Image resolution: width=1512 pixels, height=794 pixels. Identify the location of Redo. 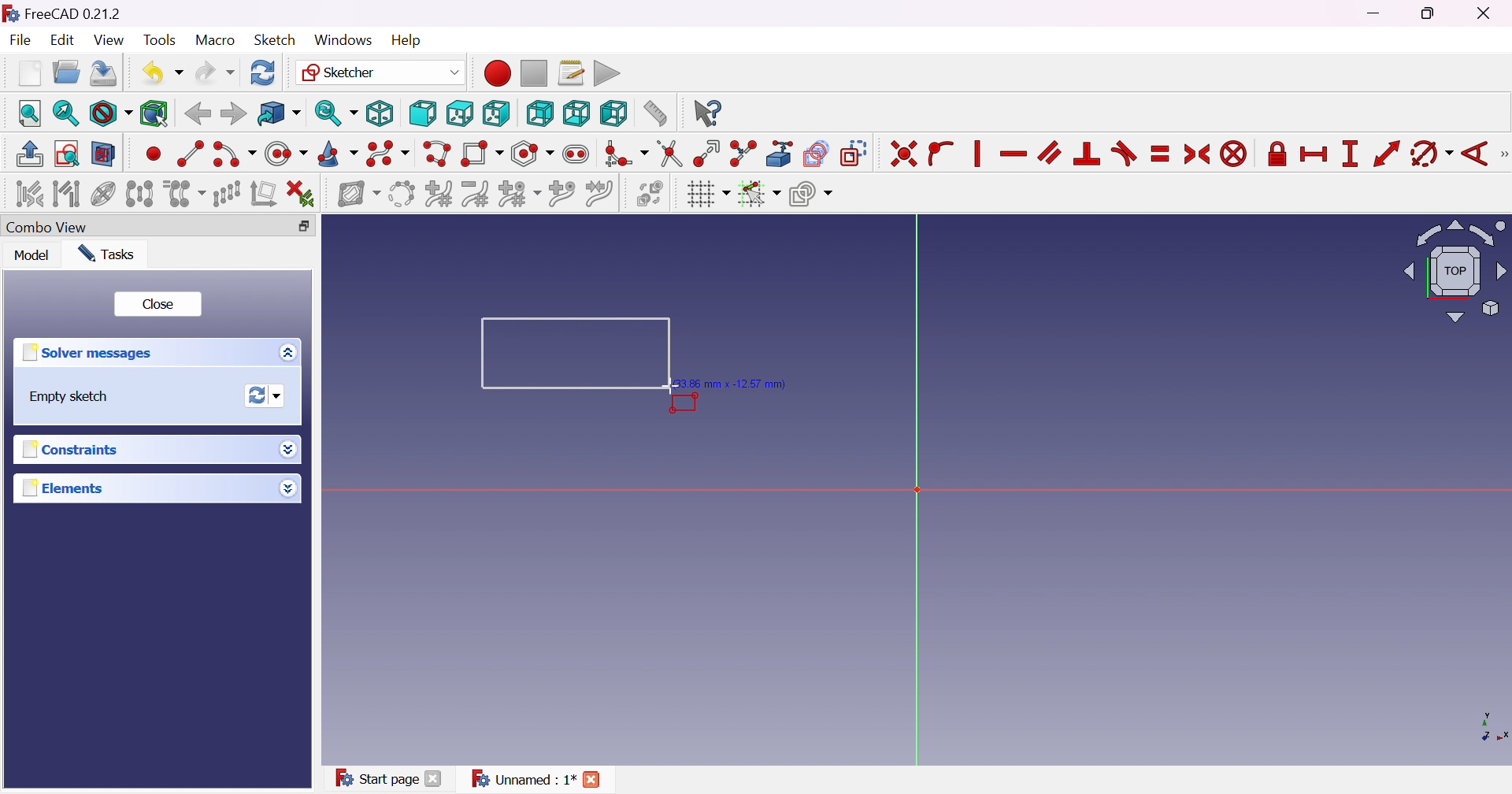
(216, 71).